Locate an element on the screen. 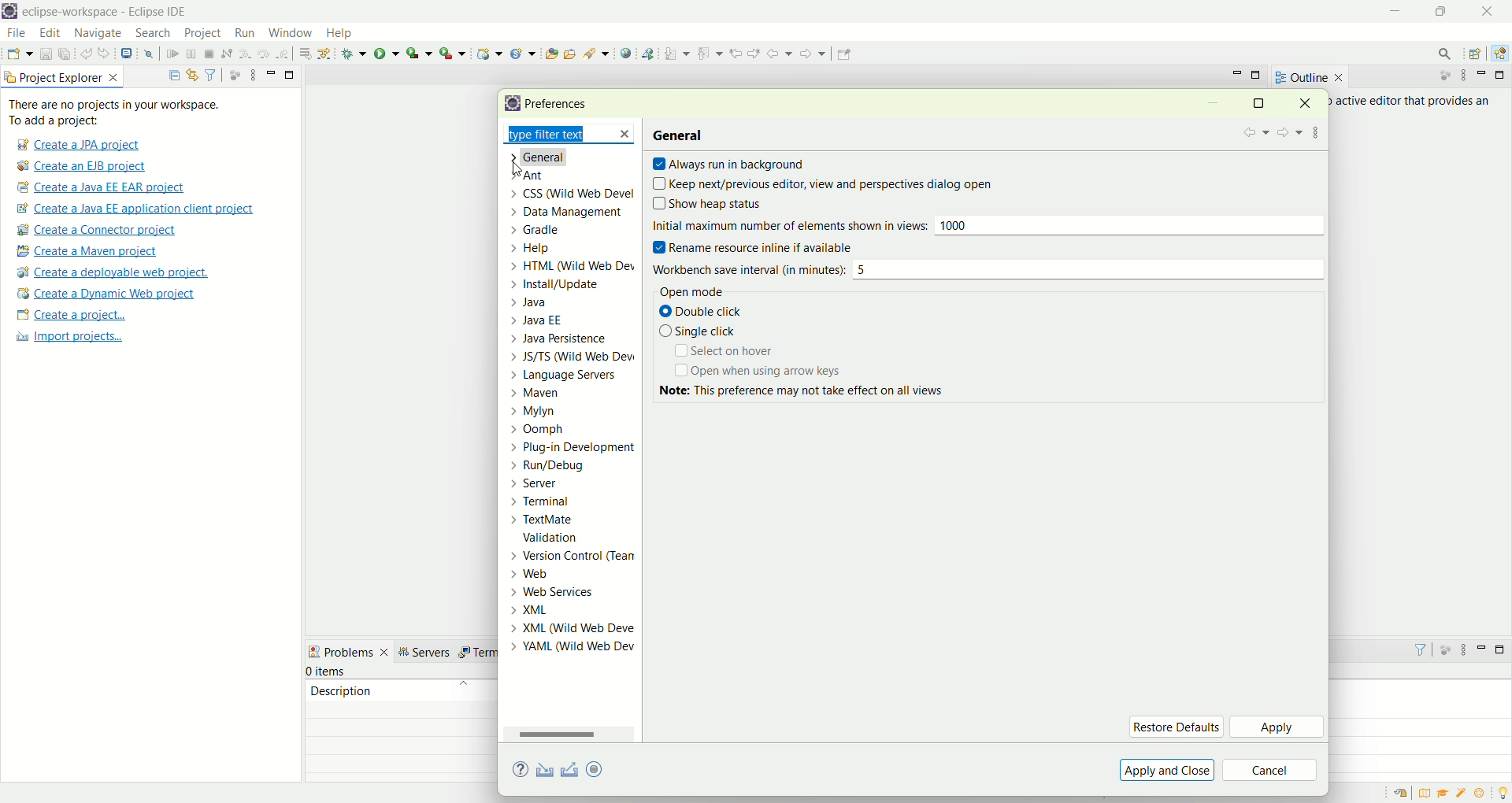  YAML is located at coordinates (569, 646).